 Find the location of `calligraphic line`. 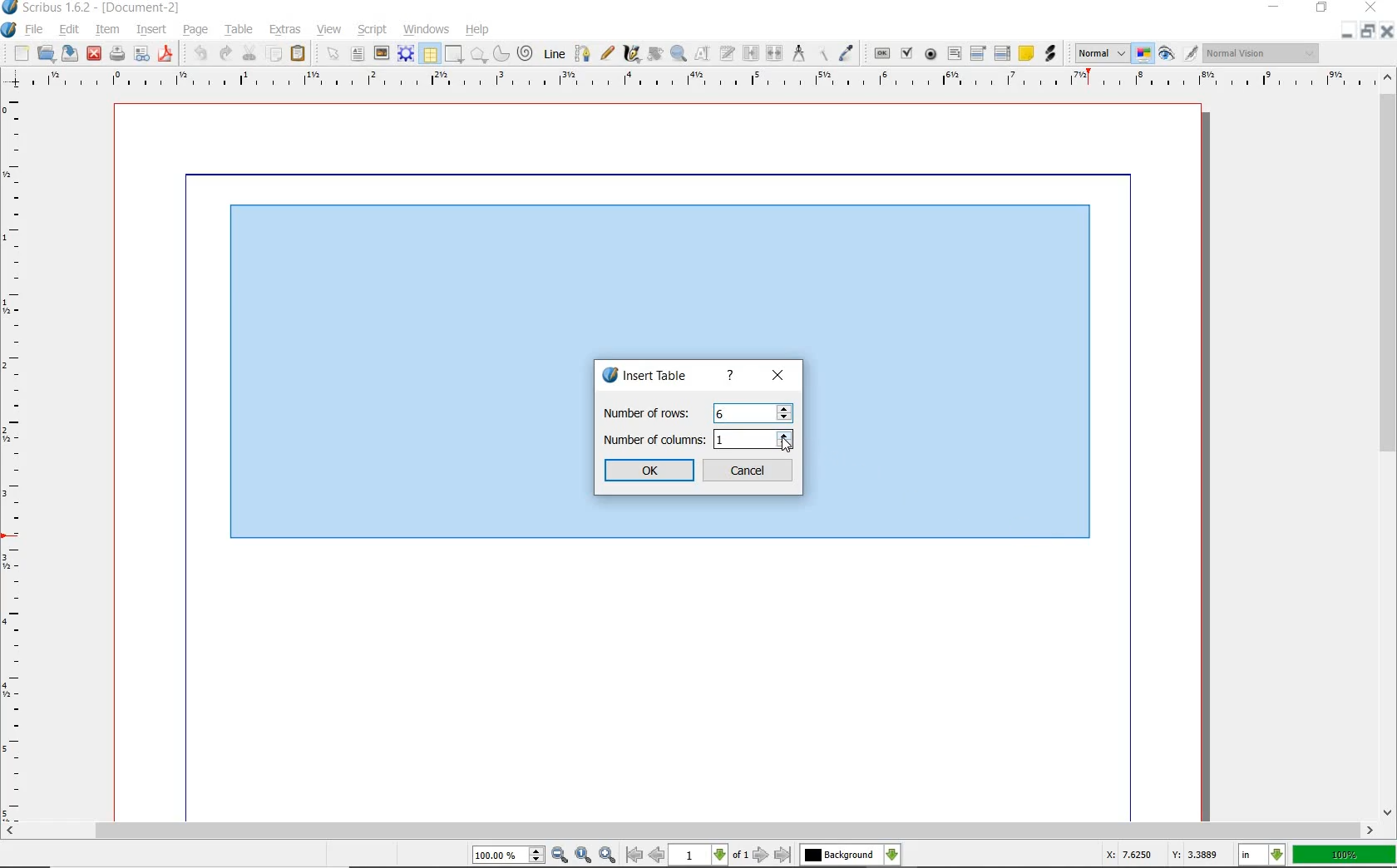

calligraphic line is located at coordinates (630, 55).